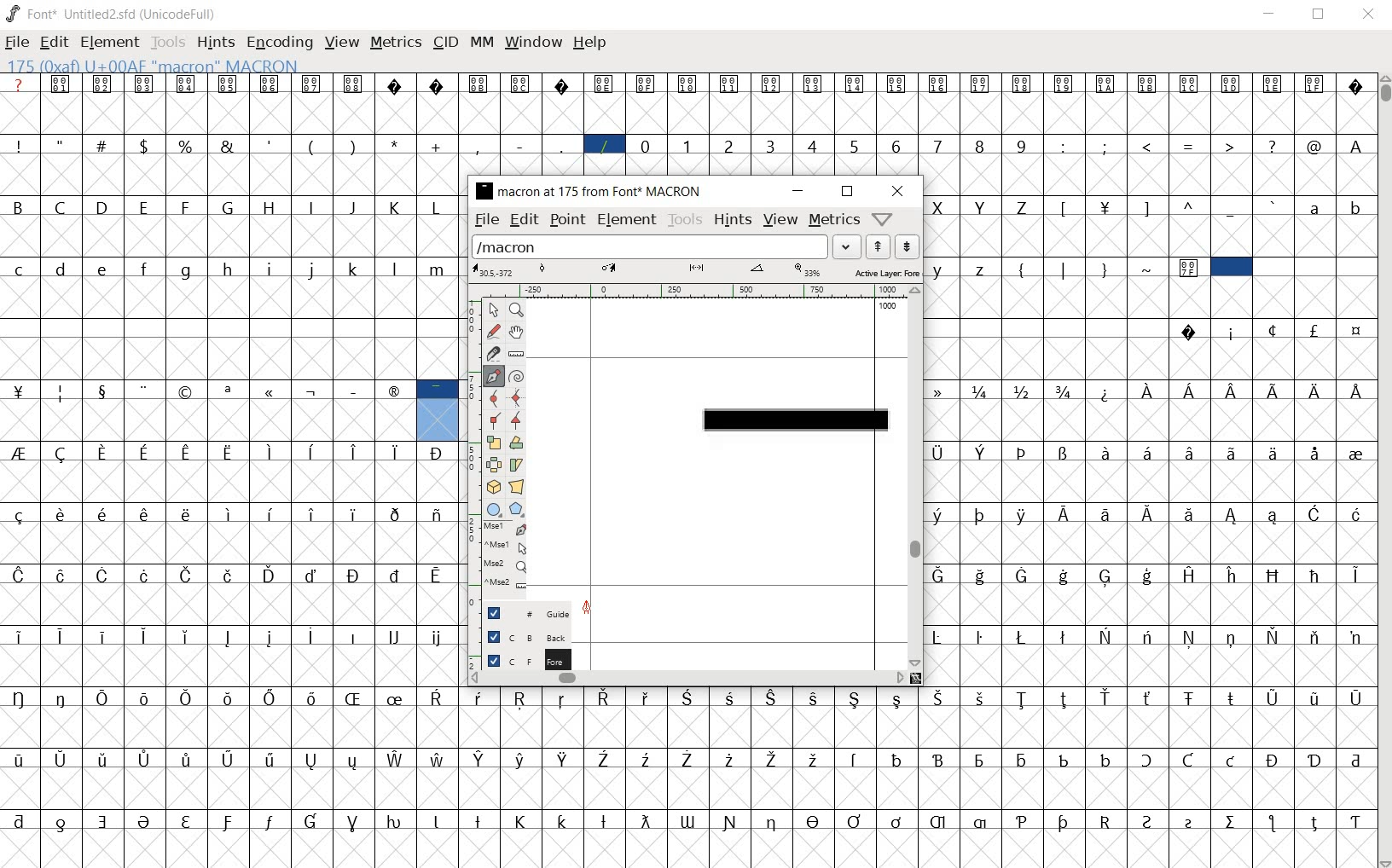 The image size is (1392, 868). What do you see at coordinates (439, 819) in the screenshot?
I see `Symbol` at bounding box center [439, 819].